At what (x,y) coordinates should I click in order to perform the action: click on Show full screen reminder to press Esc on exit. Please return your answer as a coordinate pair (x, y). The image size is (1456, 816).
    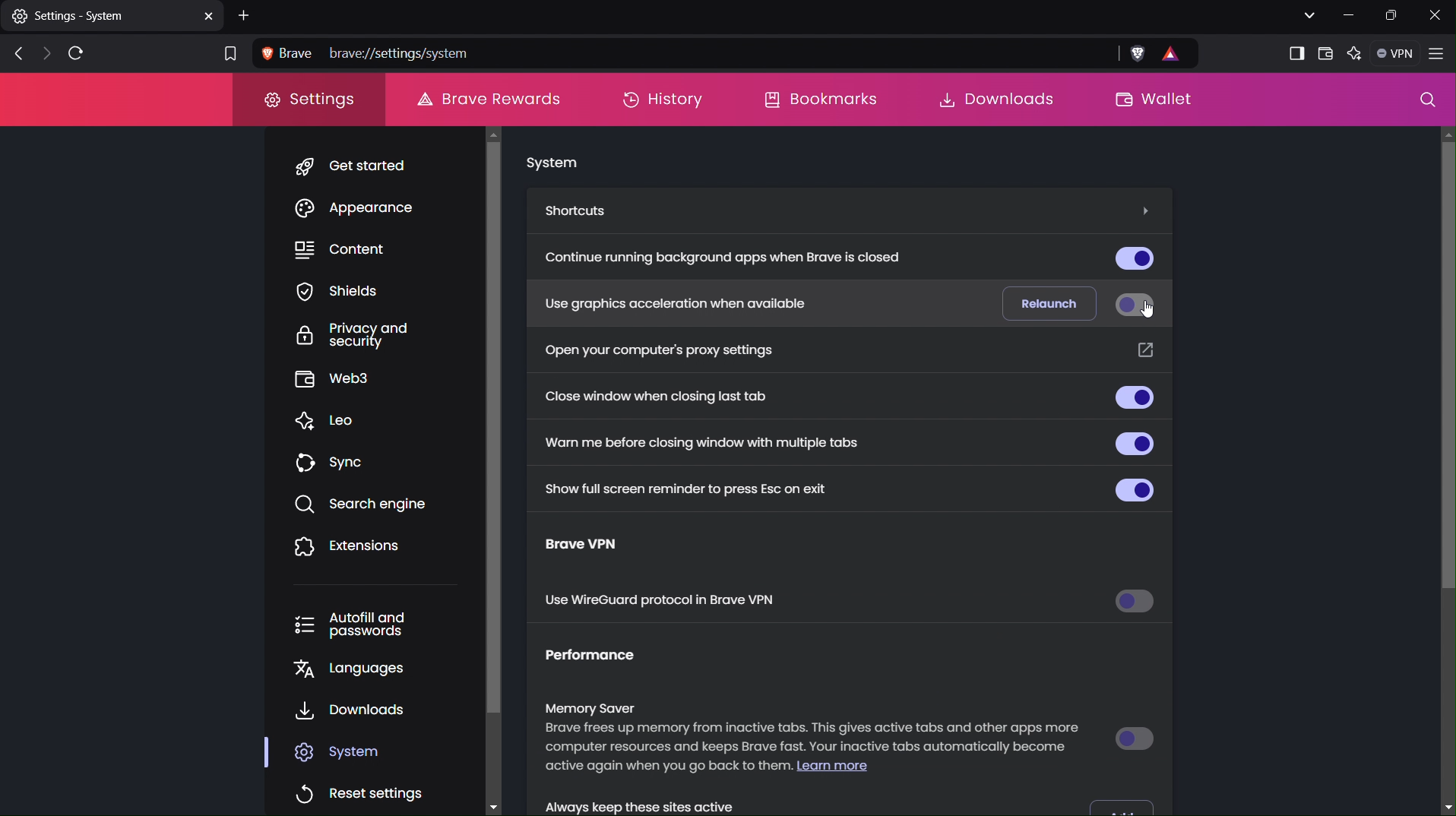
    Looking at the image, I should click on (680, 487).